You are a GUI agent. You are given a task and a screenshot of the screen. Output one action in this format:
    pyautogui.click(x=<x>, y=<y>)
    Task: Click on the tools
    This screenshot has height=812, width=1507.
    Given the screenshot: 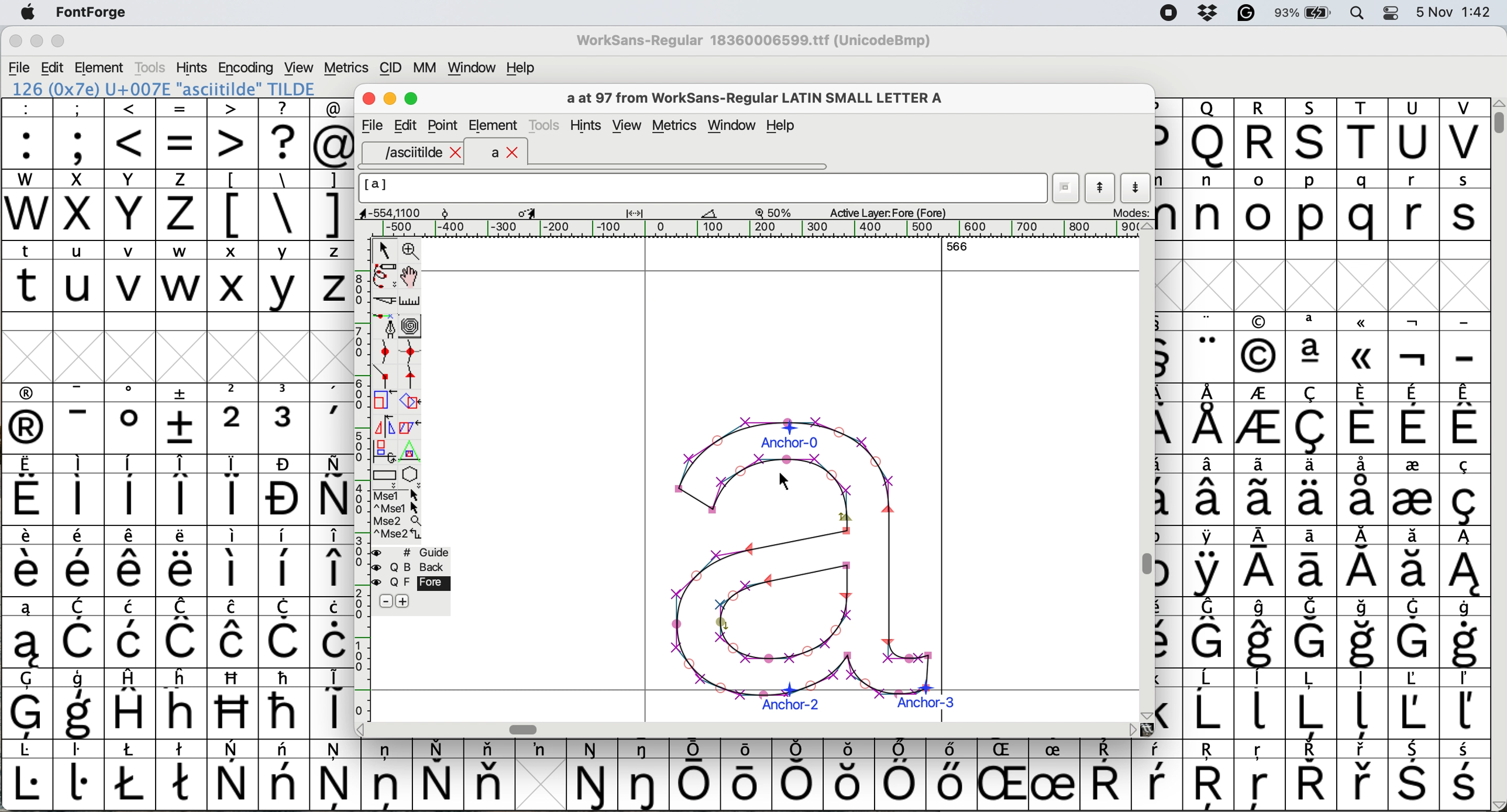 What is the action you would take?
    pyautogui.click(x=546, y=123)
    